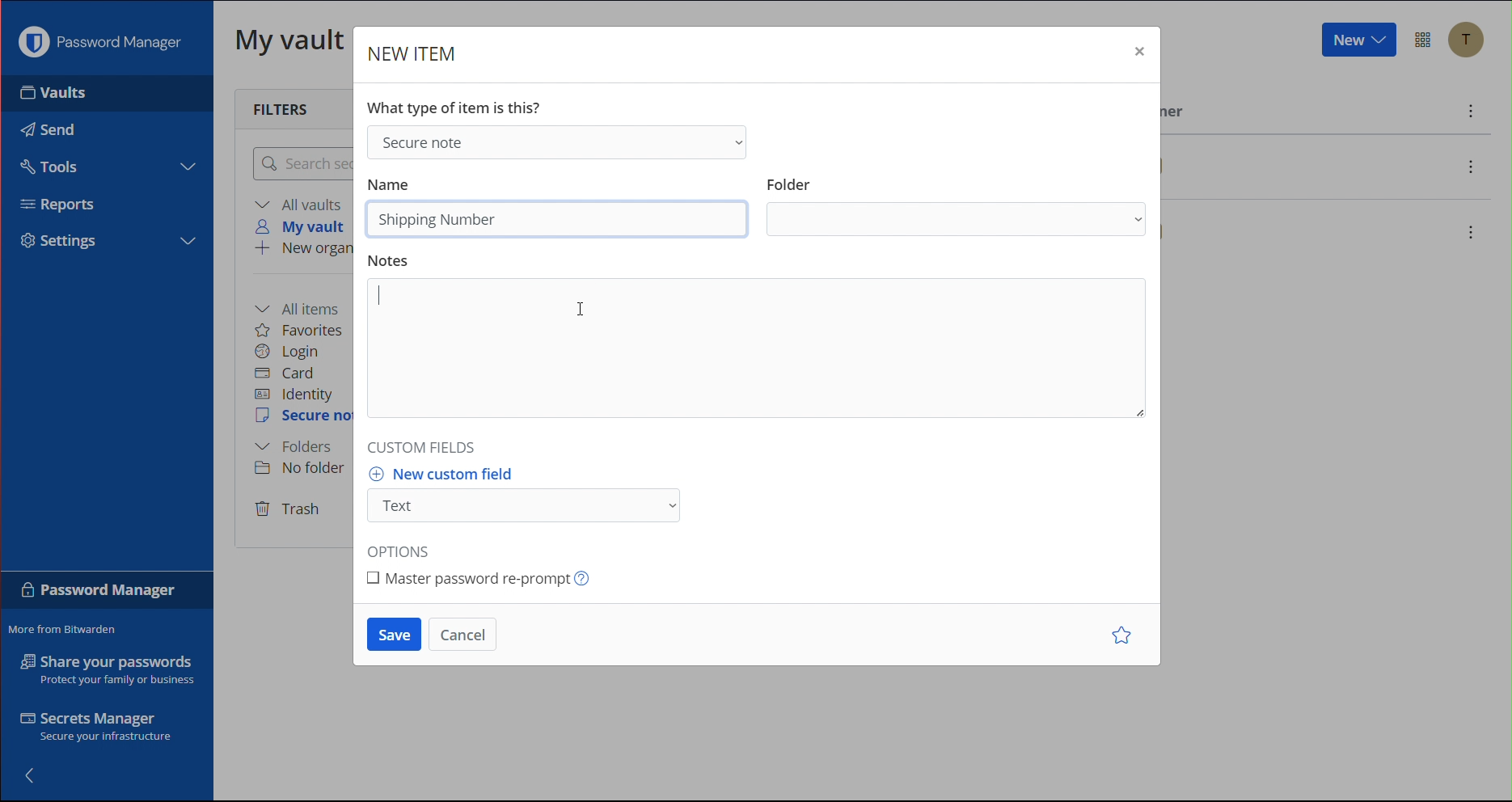  I want to click on Secure note, so click(303, 418).